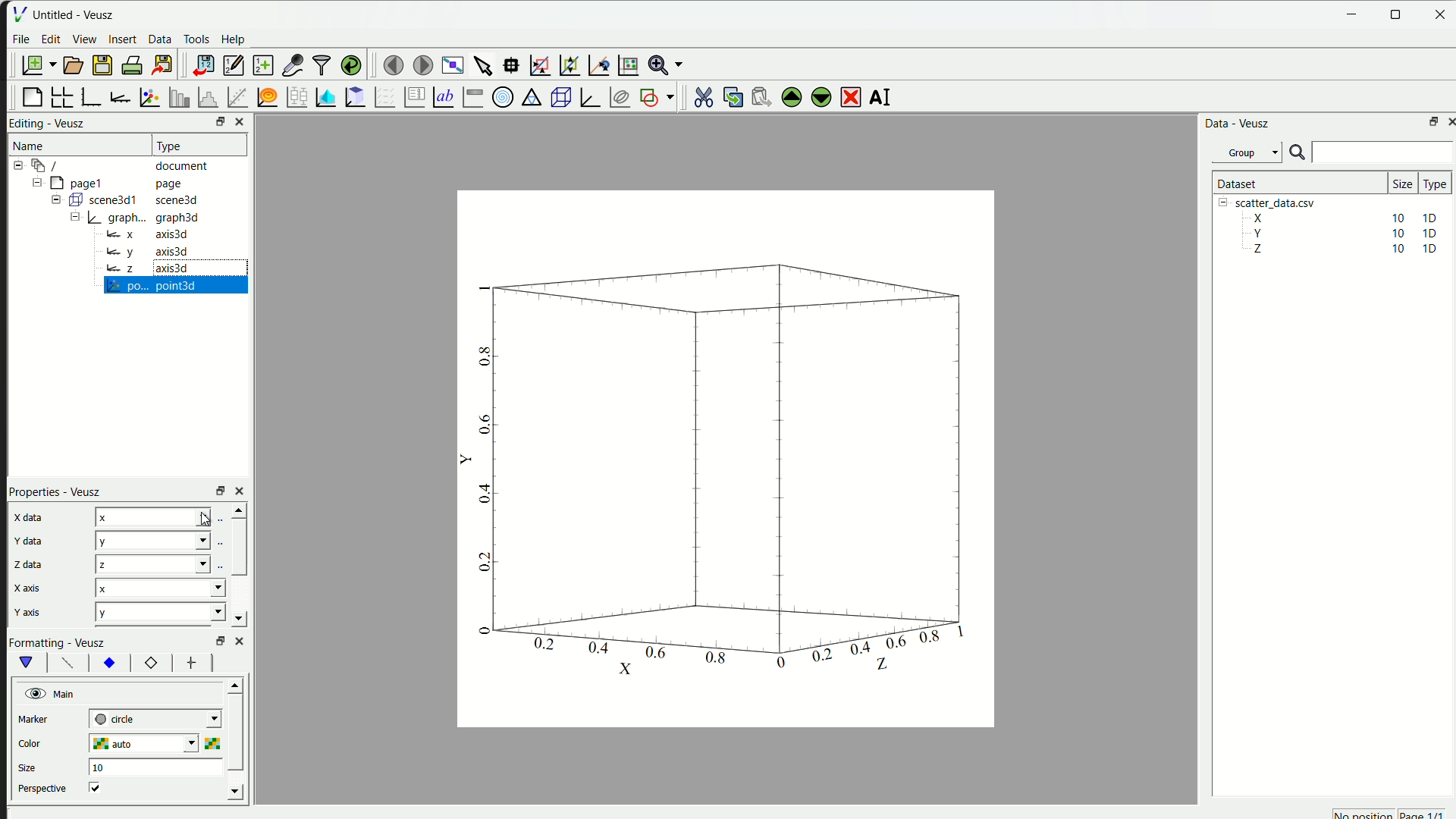 This screenshot has width=1456, height=819. Describe the element at coordinates (233, 38) in the screenshot. I see `Help` at that location.